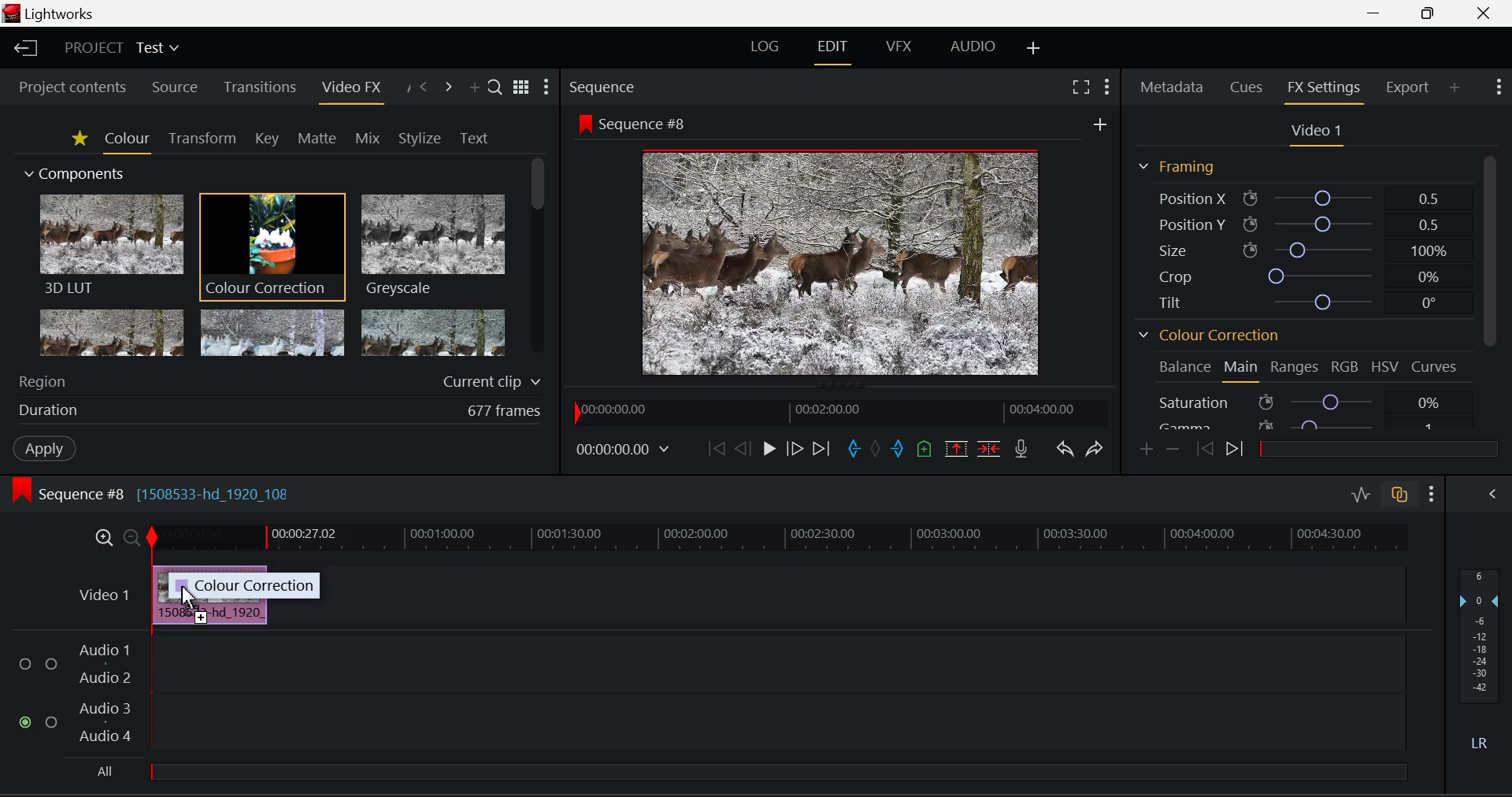  What do you see at coordinates (1295, 369) in the screenshot?
I see `Ranges` at bounding box center [1295, 369].